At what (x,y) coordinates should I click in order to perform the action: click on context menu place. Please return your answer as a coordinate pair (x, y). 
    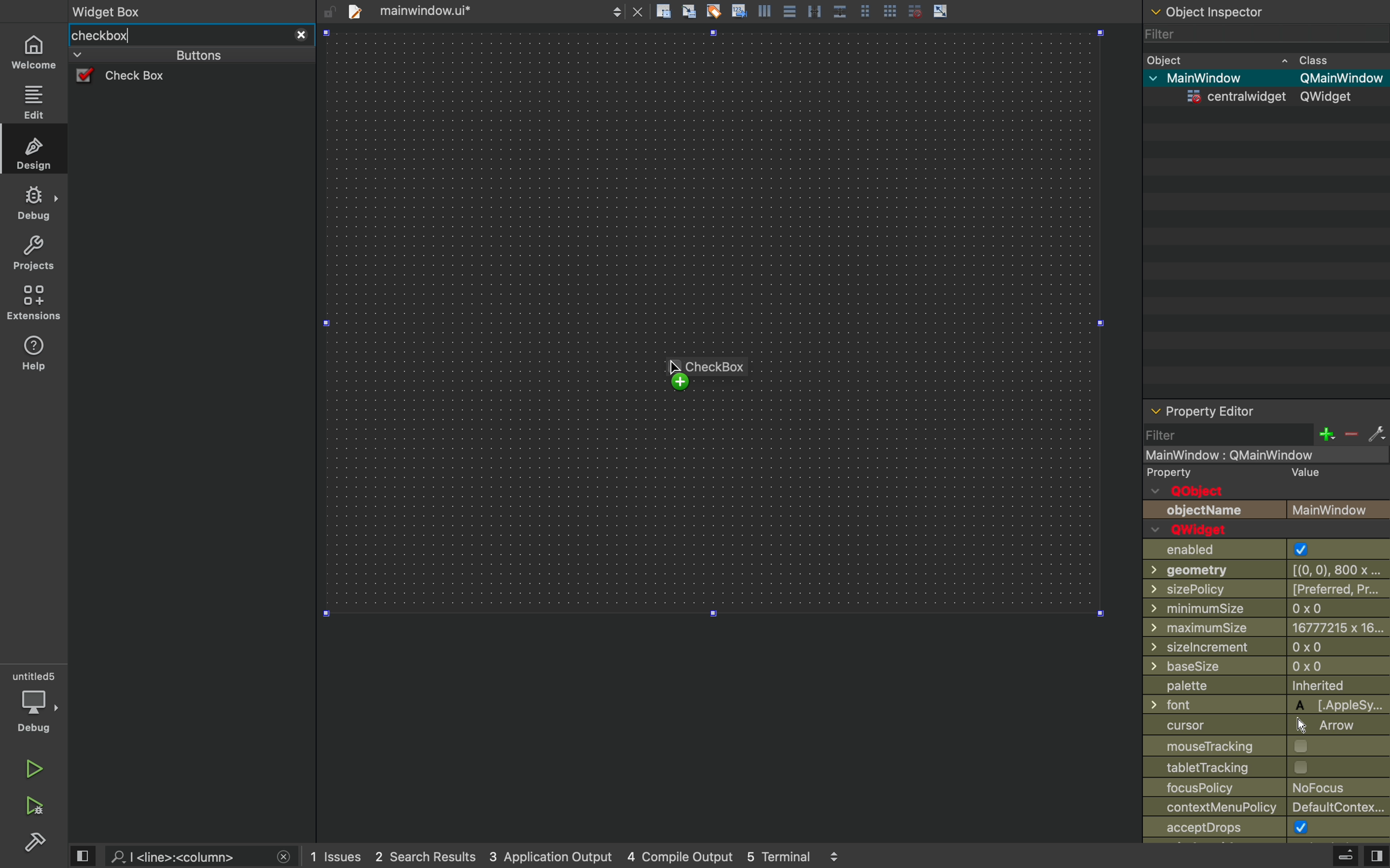
    Looking at the image, I should click on (1269, 808).